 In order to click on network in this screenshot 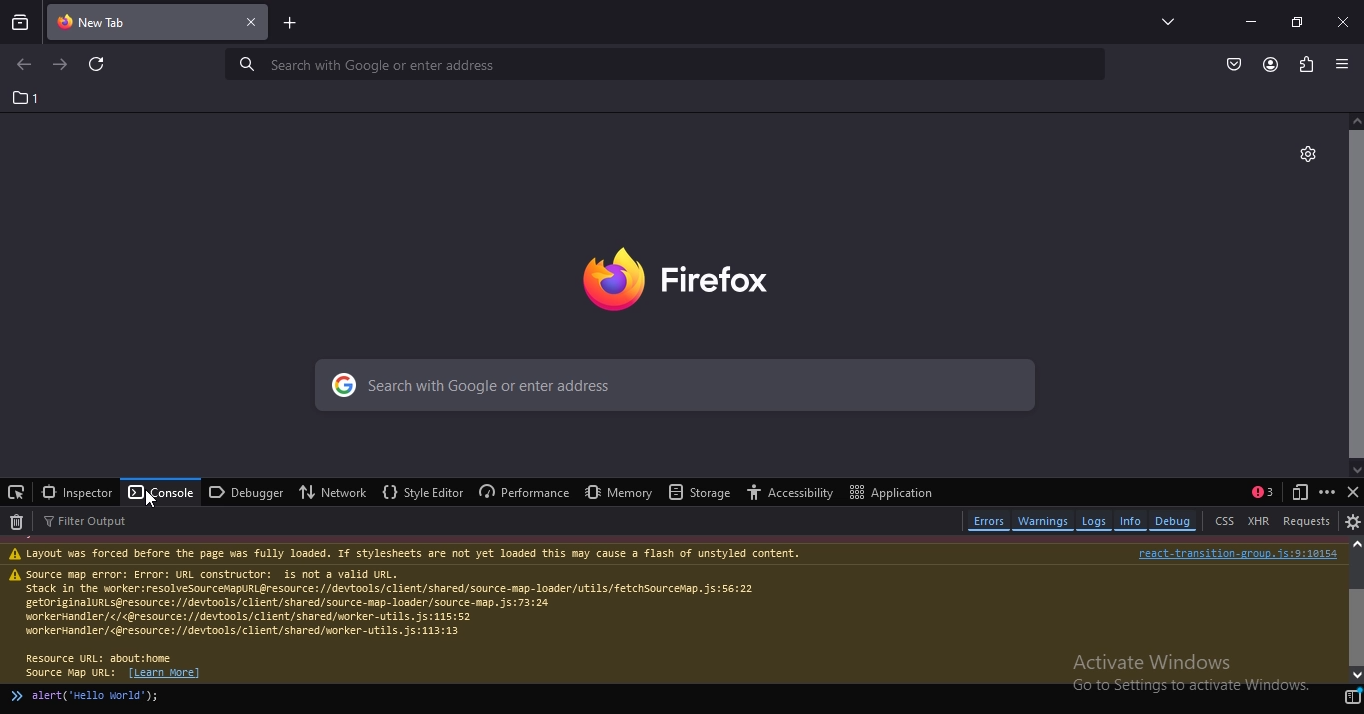, I will do `click(329, 493)`.